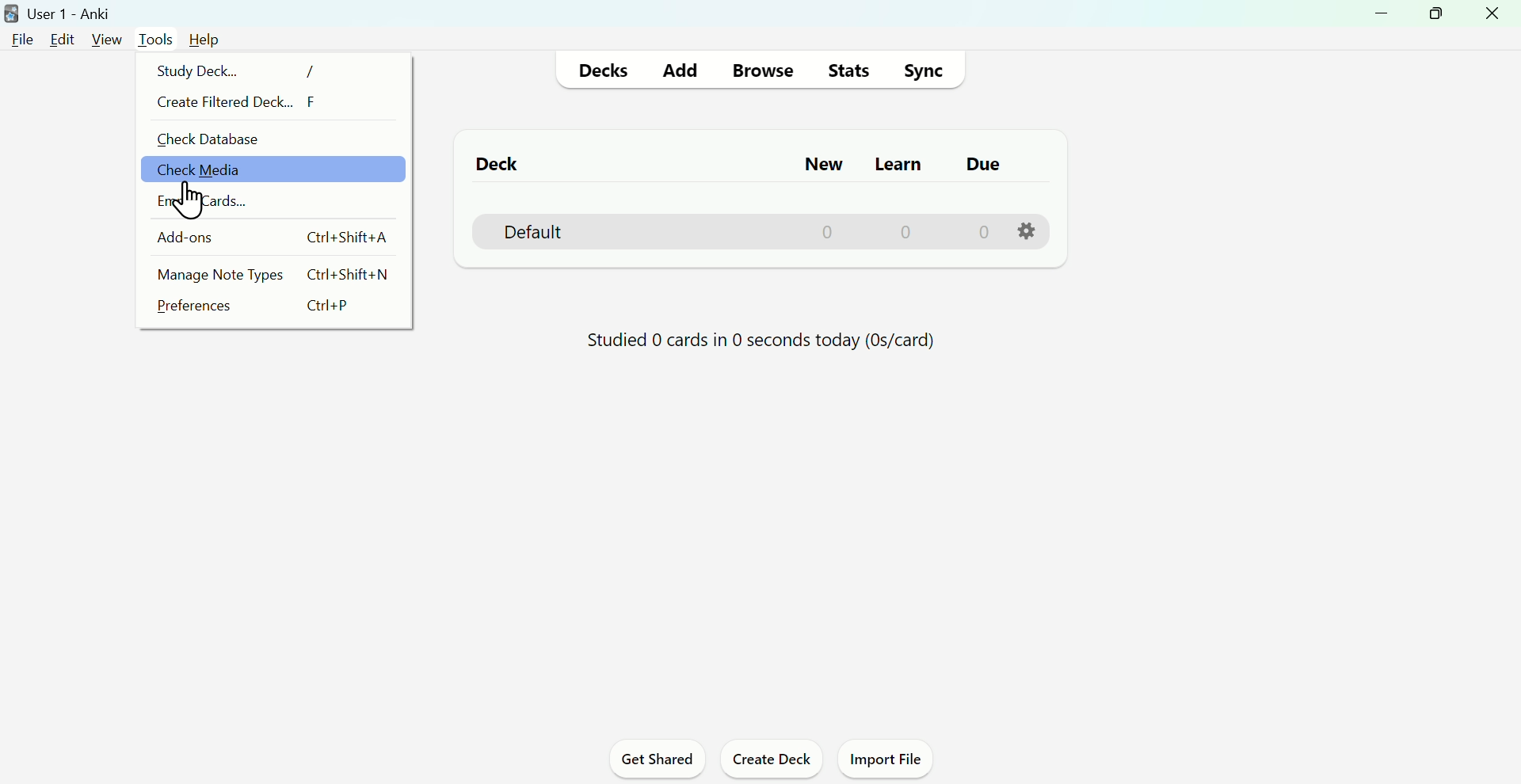  Describe the element at coordinates (157, 39) in the screenshot. I see `Tools` at that location.